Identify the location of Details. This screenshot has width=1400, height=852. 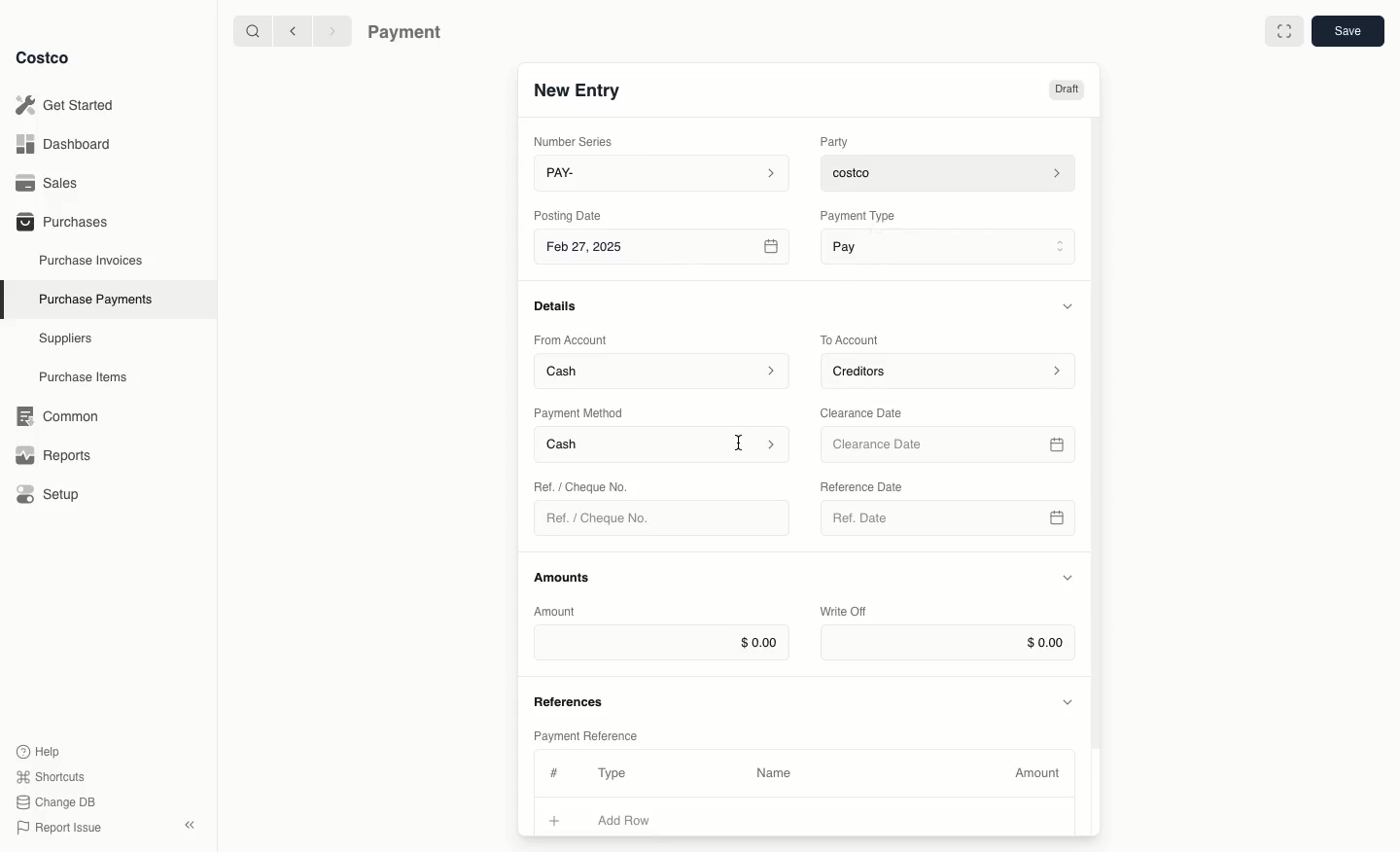
(561, 305).